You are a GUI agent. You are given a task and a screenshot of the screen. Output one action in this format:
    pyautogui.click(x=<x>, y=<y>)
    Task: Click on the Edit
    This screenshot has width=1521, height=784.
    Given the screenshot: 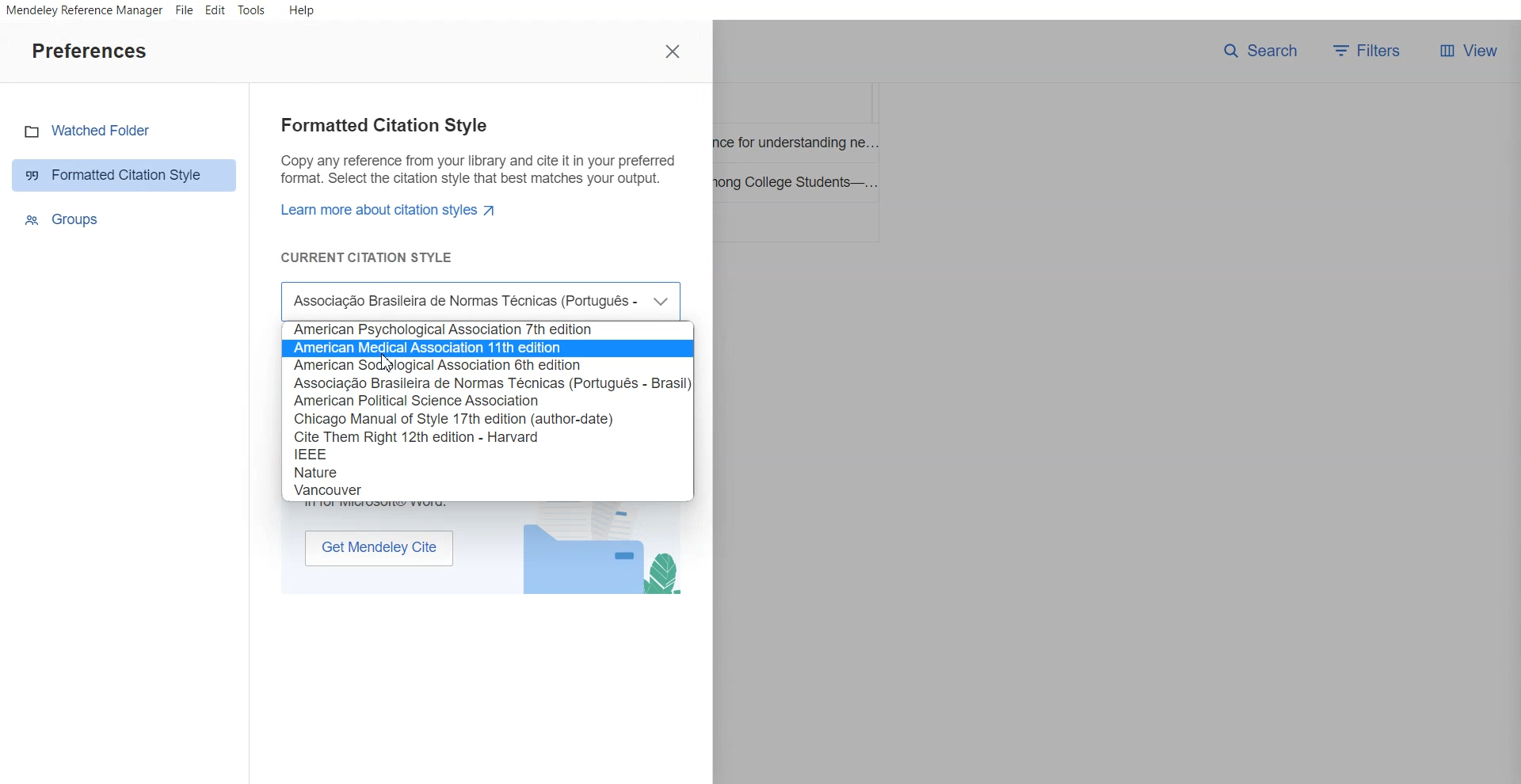 What is the action you would take?
    pyautogui.click(x=215, y=11)
    